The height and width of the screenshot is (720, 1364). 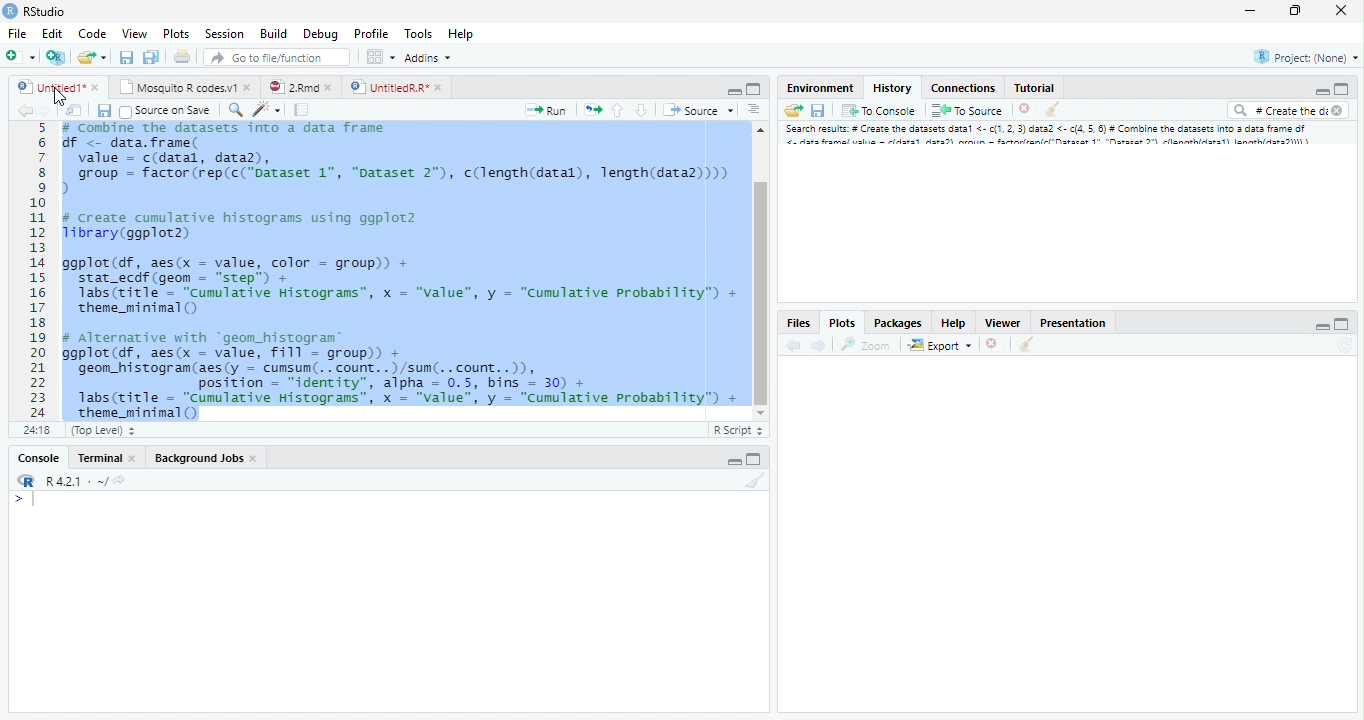 I want to click on Environment, so click(x=819, y=88).